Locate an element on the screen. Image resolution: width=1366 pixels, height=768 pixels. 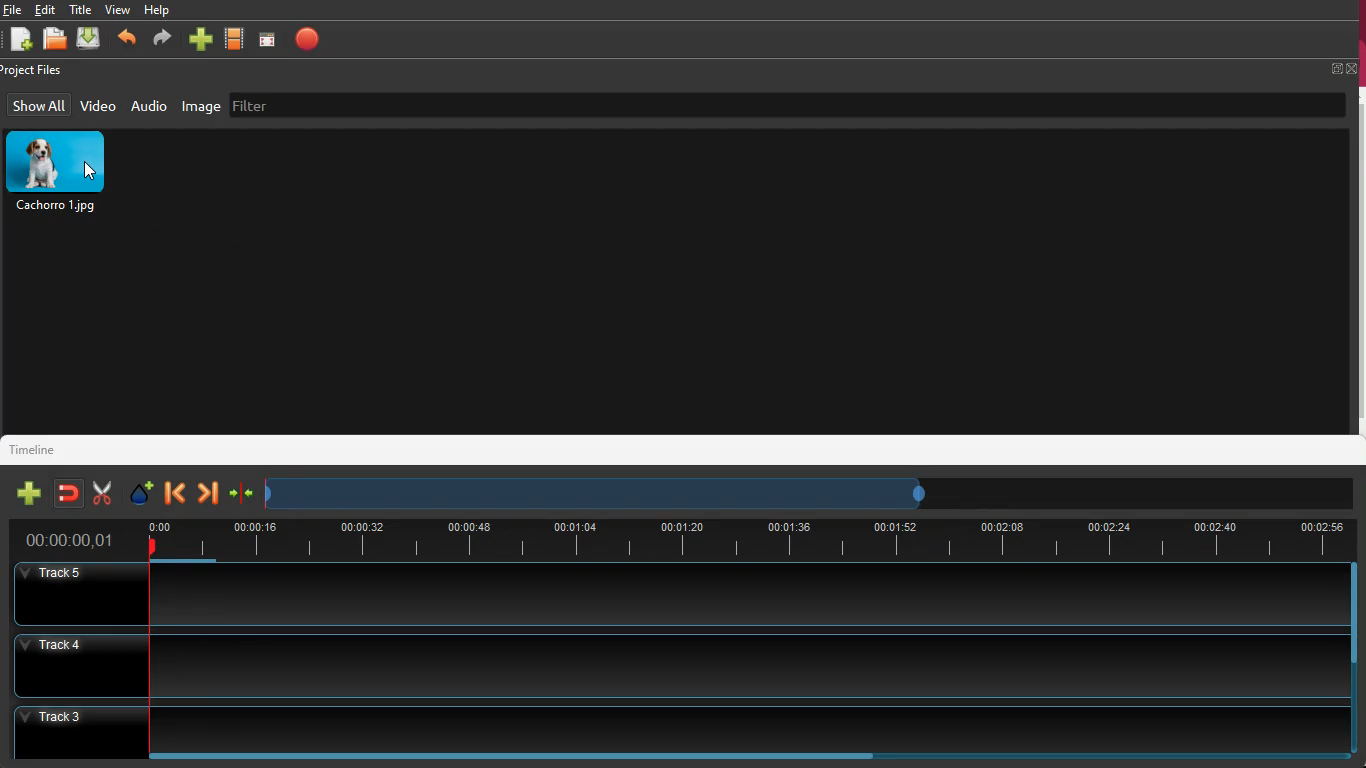
add is located at coordinates (25, 494).